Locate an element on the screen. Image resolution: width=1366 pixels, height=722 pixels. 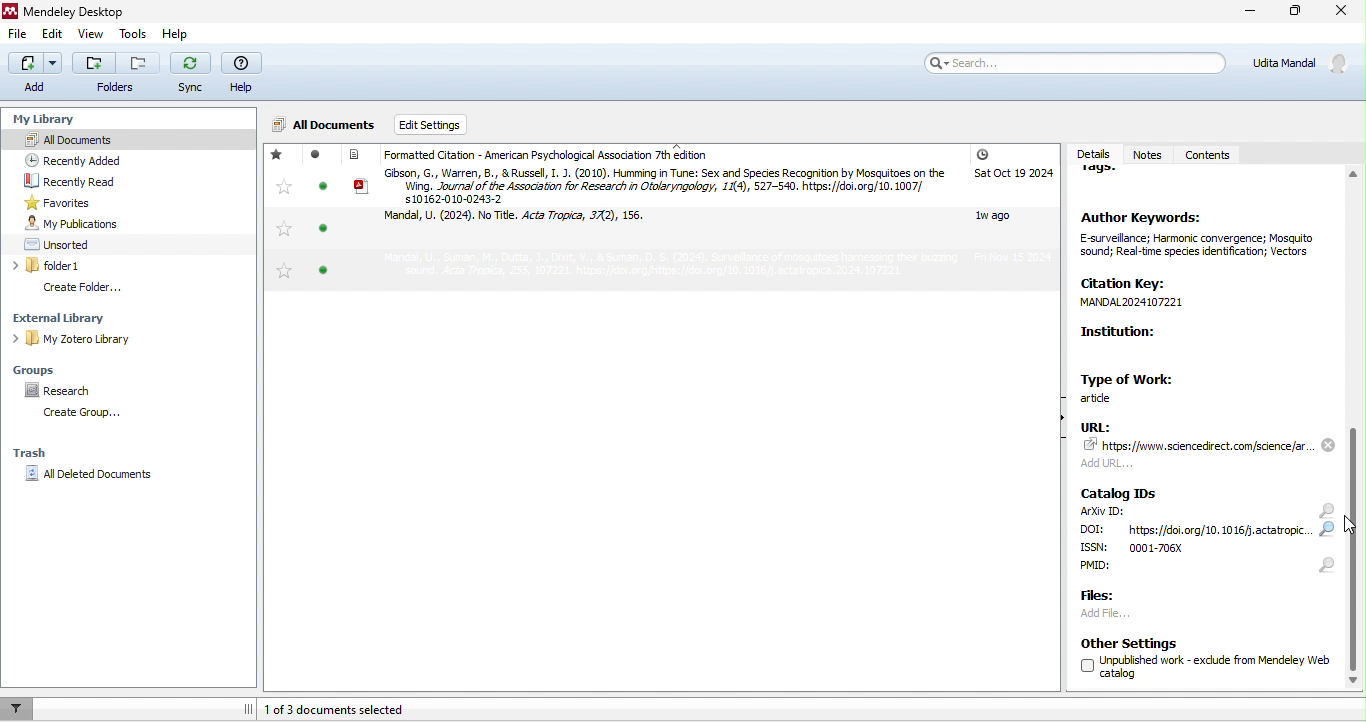
show/hide is located at coordinates (1060, 428).